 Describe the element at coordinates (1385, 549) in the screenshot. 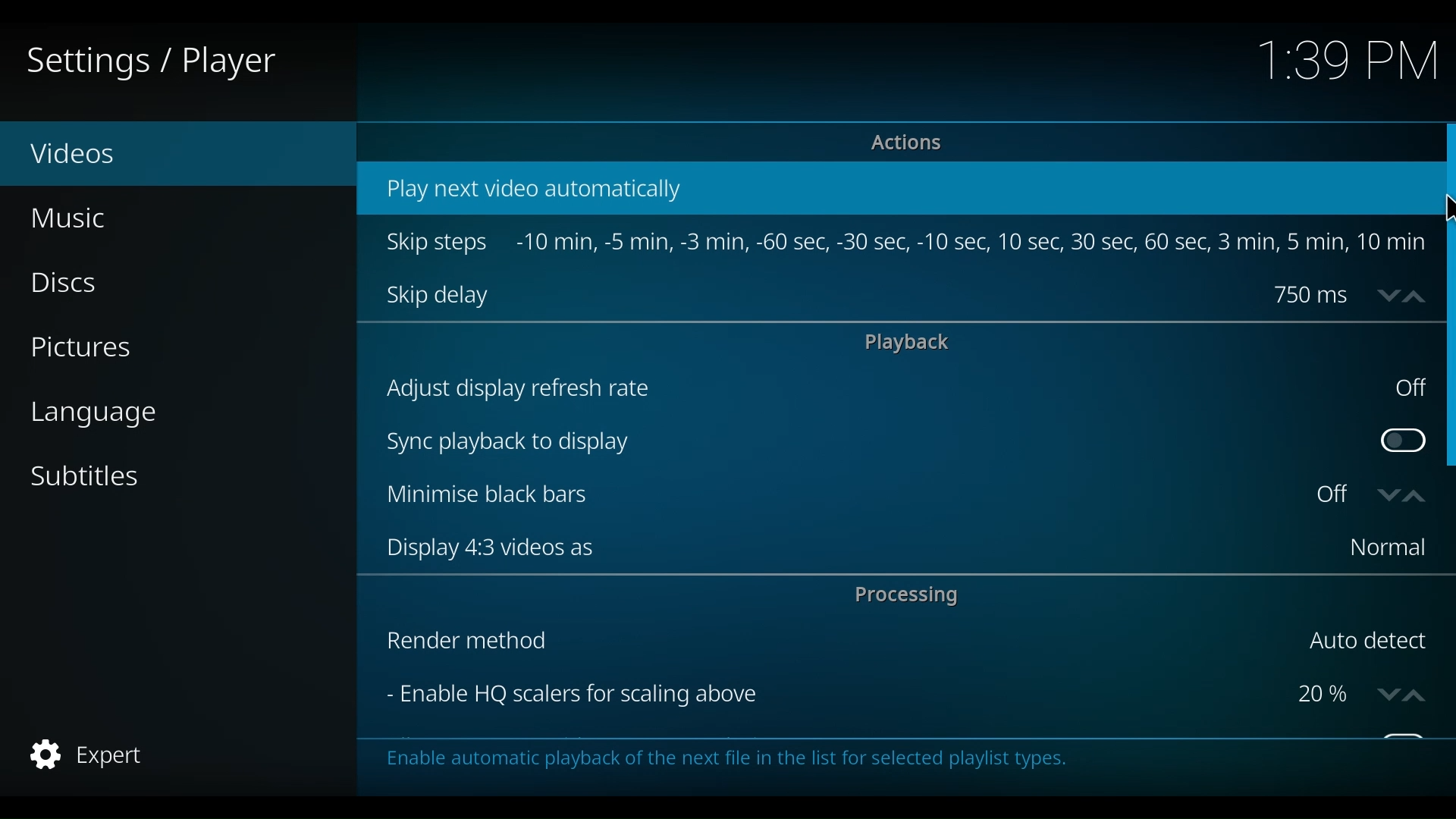

I see `Normal` at that location.